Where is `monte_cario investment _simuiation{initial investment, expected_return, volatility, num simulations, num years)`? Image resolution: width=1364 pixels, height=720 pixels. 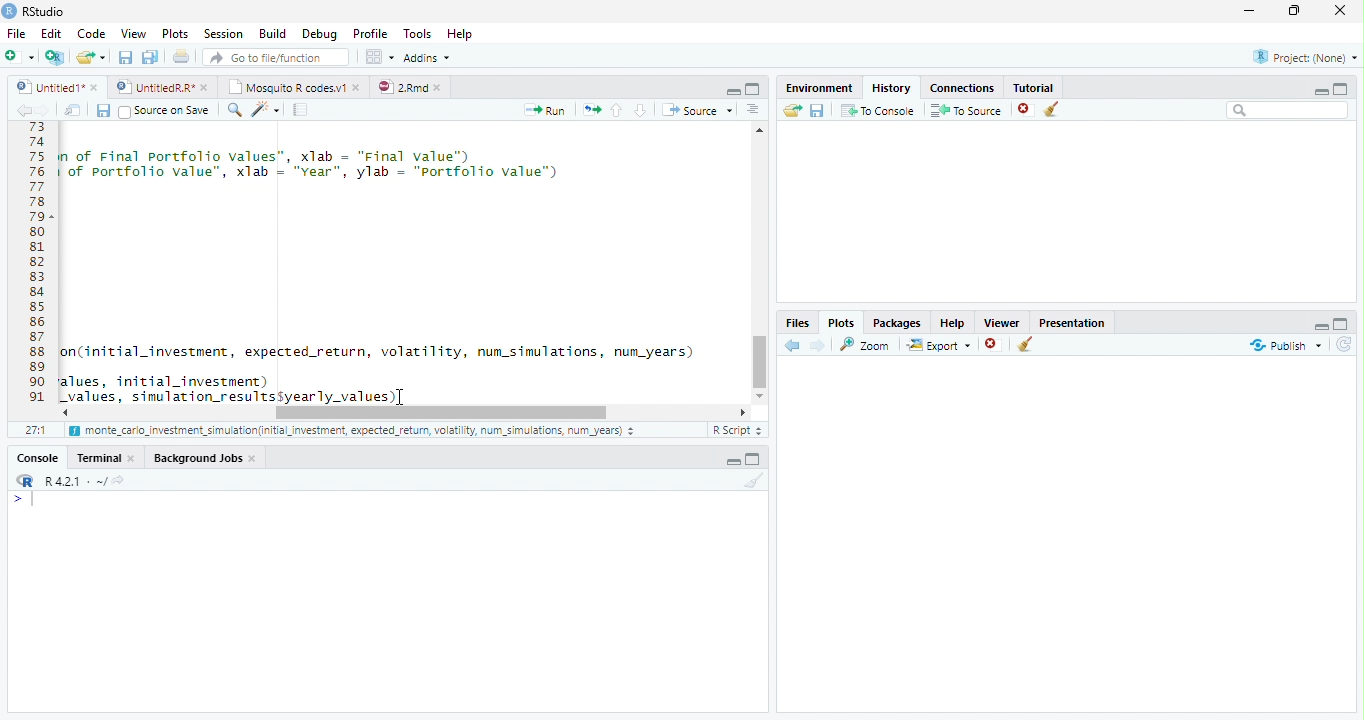 monte_cario investment _simuiation{initial investment, expected_return, volatility, num simulations, num years) is located at coordinates (354, 432).